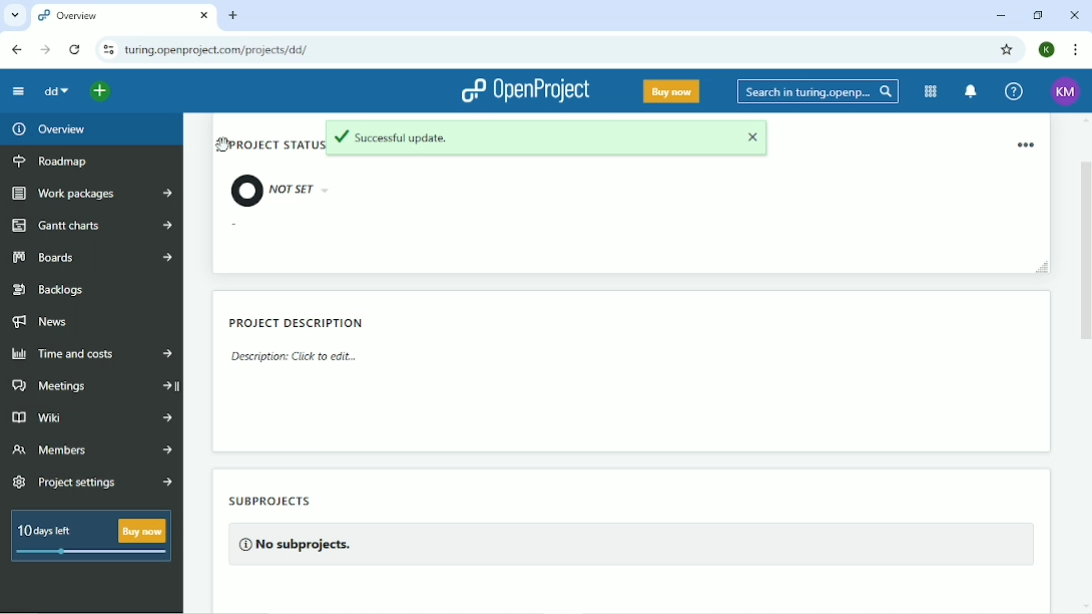  I want to click on News, so click(44, 322).